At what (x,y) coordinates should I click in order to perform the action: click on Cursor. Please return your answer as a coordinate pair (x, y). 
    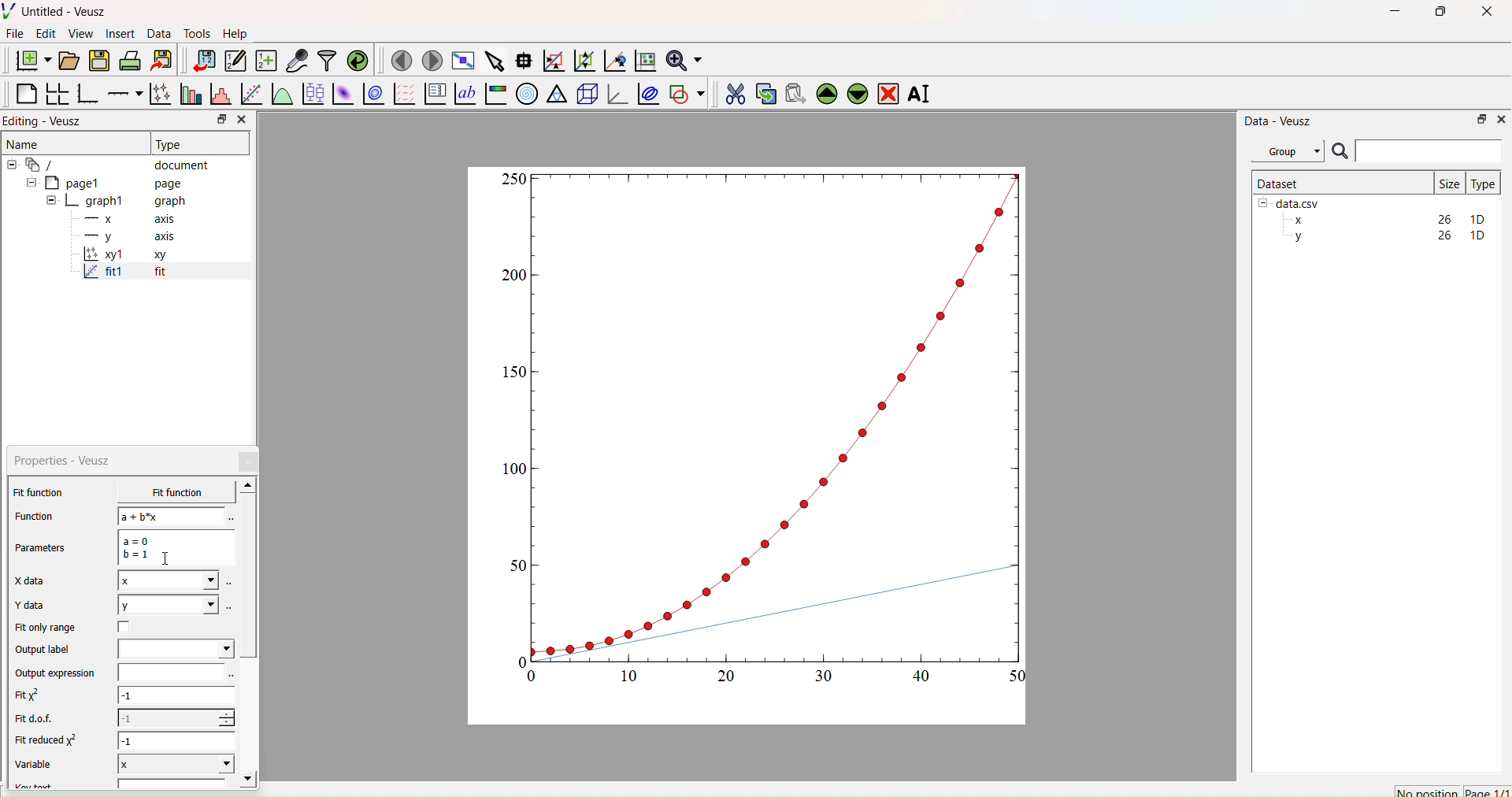
    Looking at the image, I should click on (168, 558).